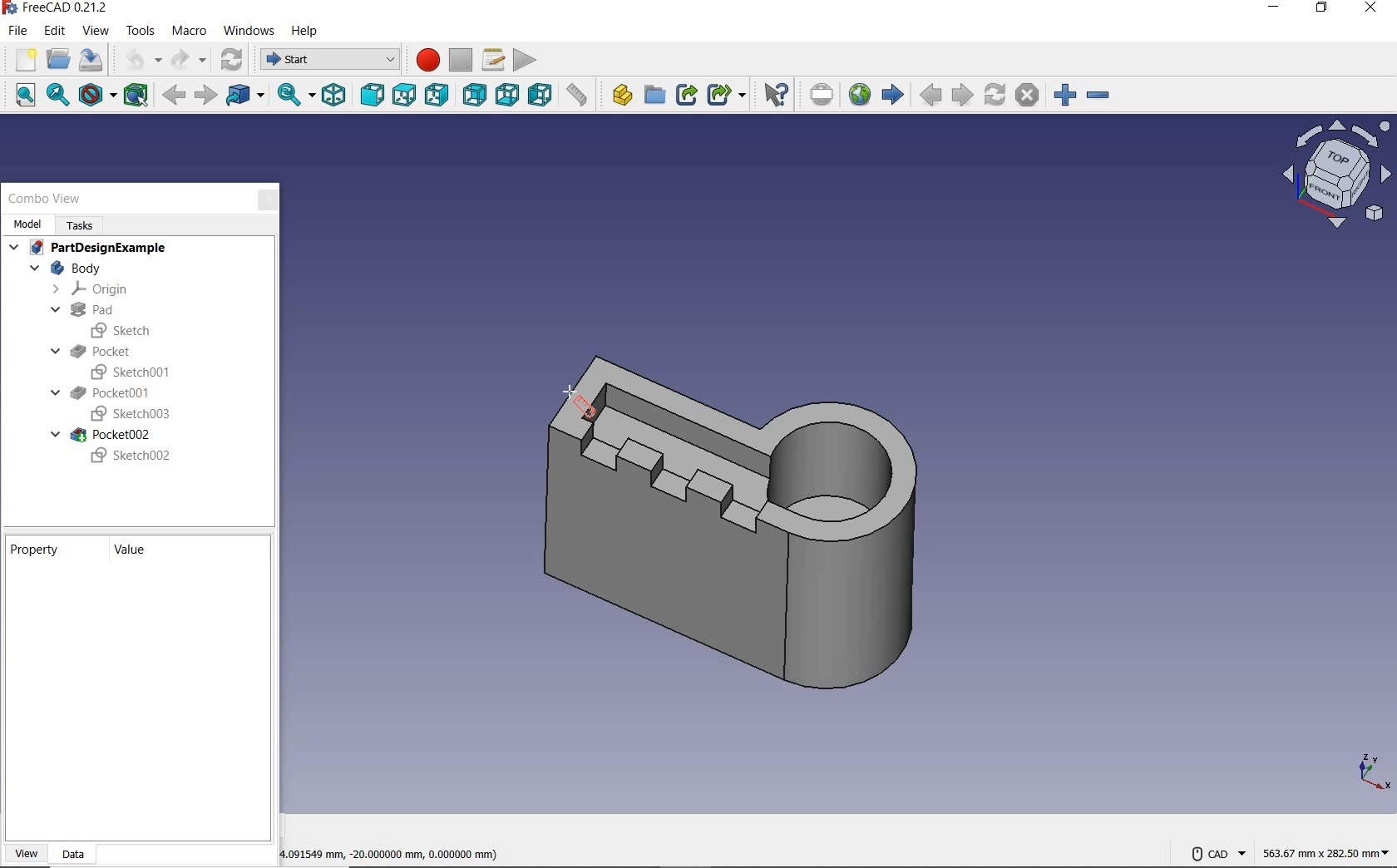 The width and height of the screenshot is (1397, 868). I want to click on next page, so click(961, 96).